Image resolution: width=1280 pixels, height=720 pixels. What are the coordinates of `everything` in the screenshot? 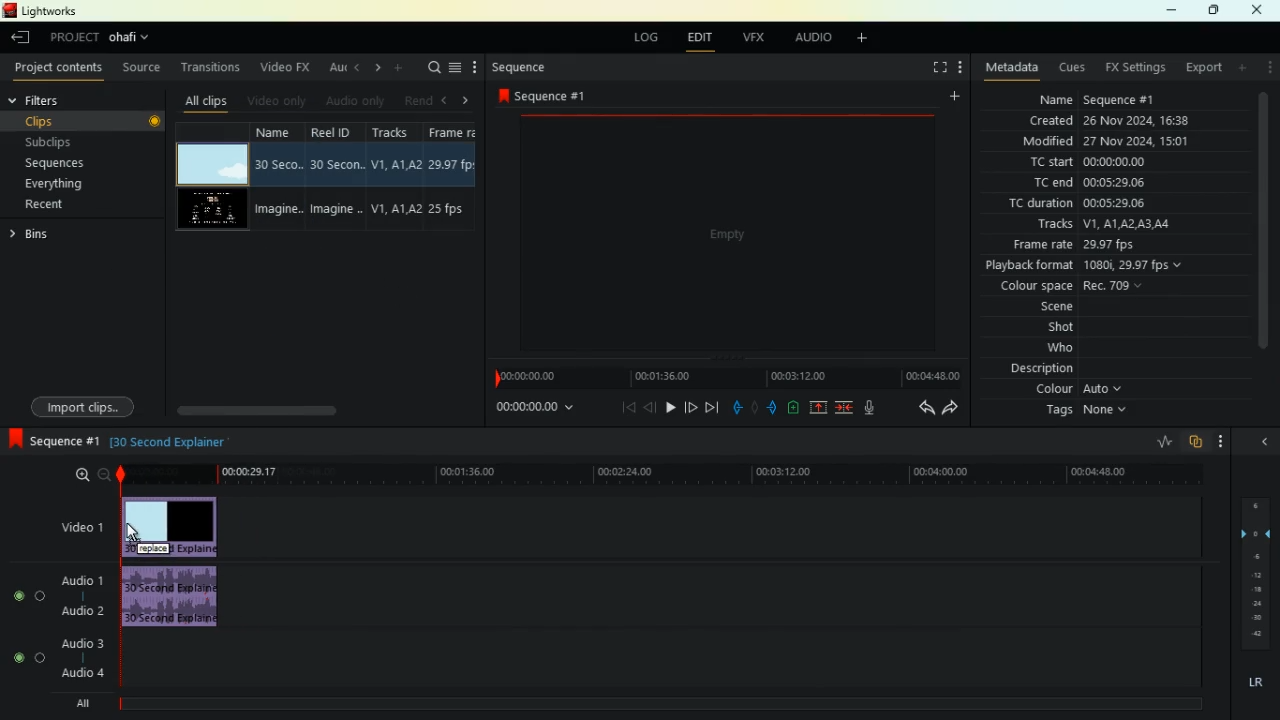 It's located at (54, 184).